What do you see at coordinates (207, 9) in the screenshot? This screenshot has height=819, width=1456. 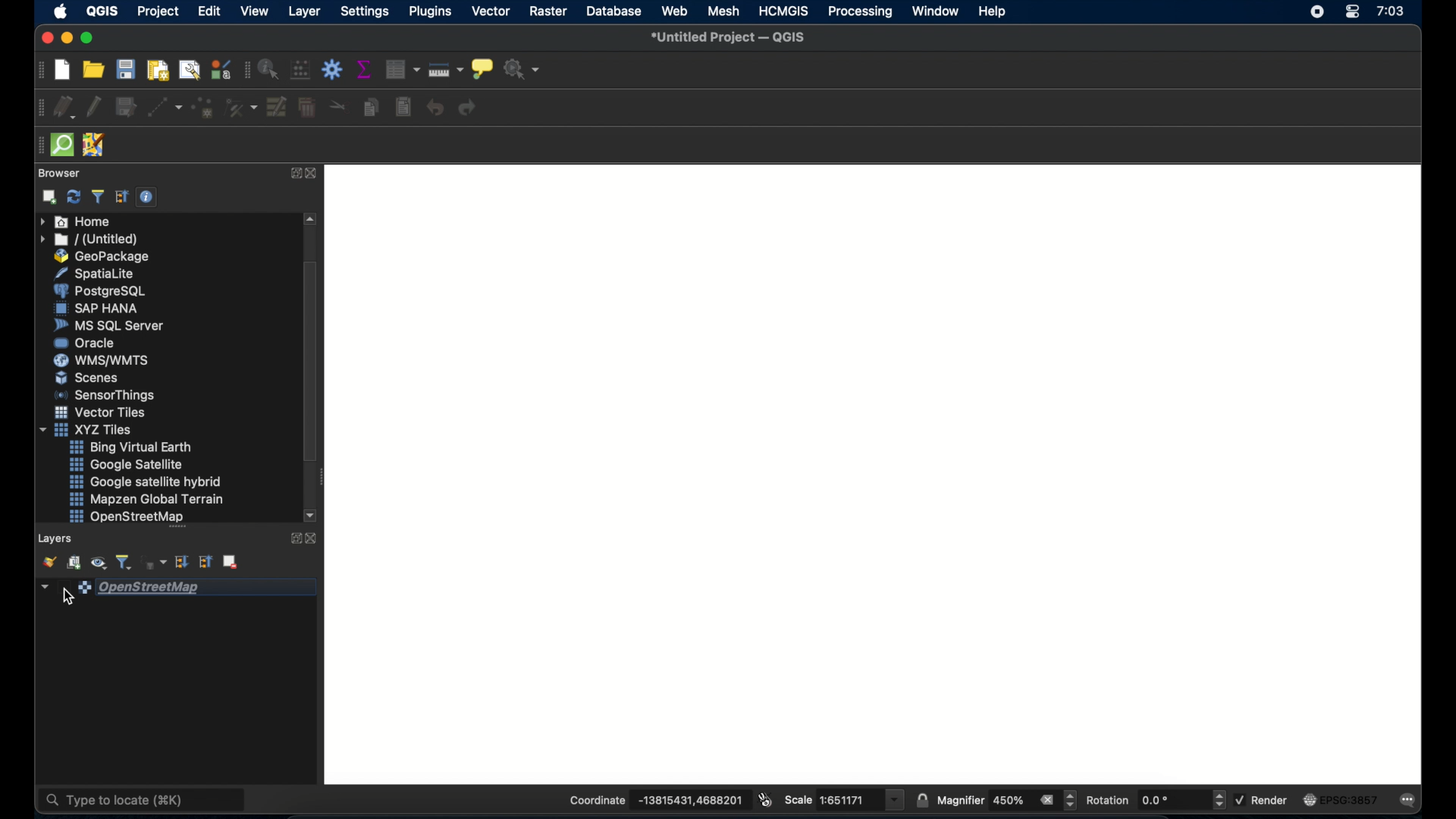 I see `edit` at bounding box center [207, 9].